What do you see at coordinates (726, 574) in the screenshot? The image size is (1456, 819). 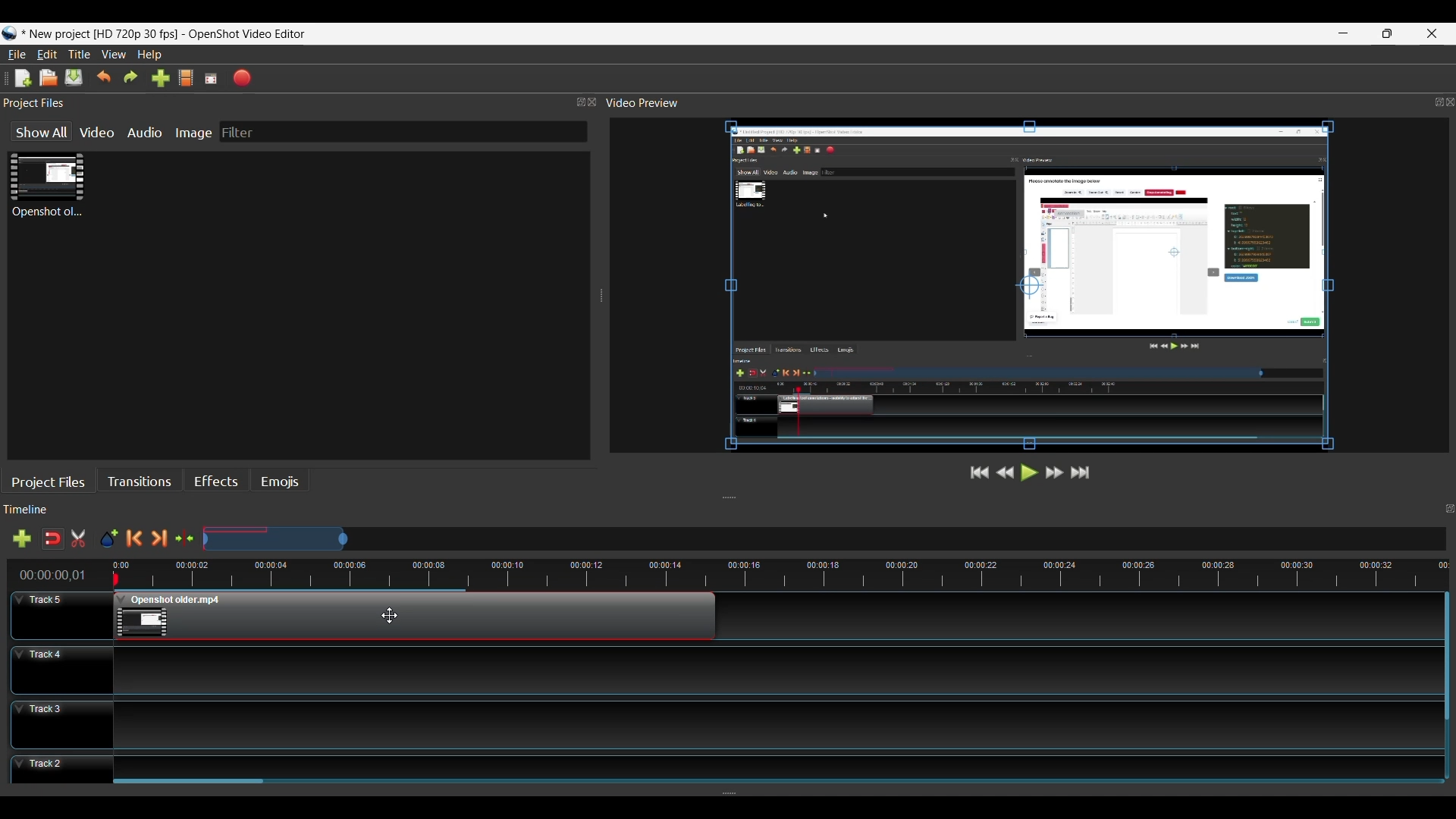 I see `Timeline` at bounding box center [726, 574].